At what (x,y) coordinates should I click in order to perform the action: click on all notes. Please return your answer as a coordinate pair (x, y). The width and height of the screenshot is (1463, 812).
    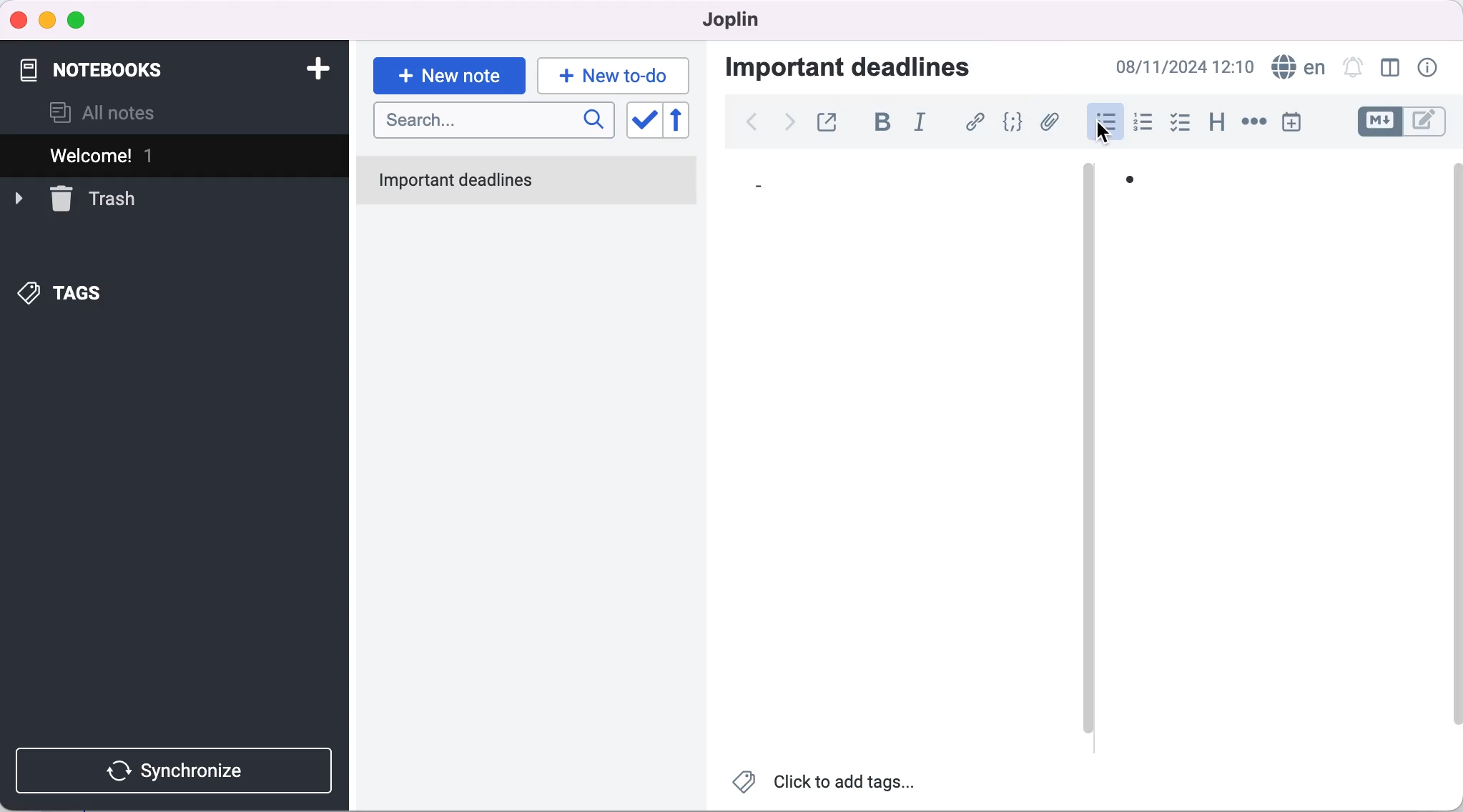
    Looking at the image, I should click on (119, 111).